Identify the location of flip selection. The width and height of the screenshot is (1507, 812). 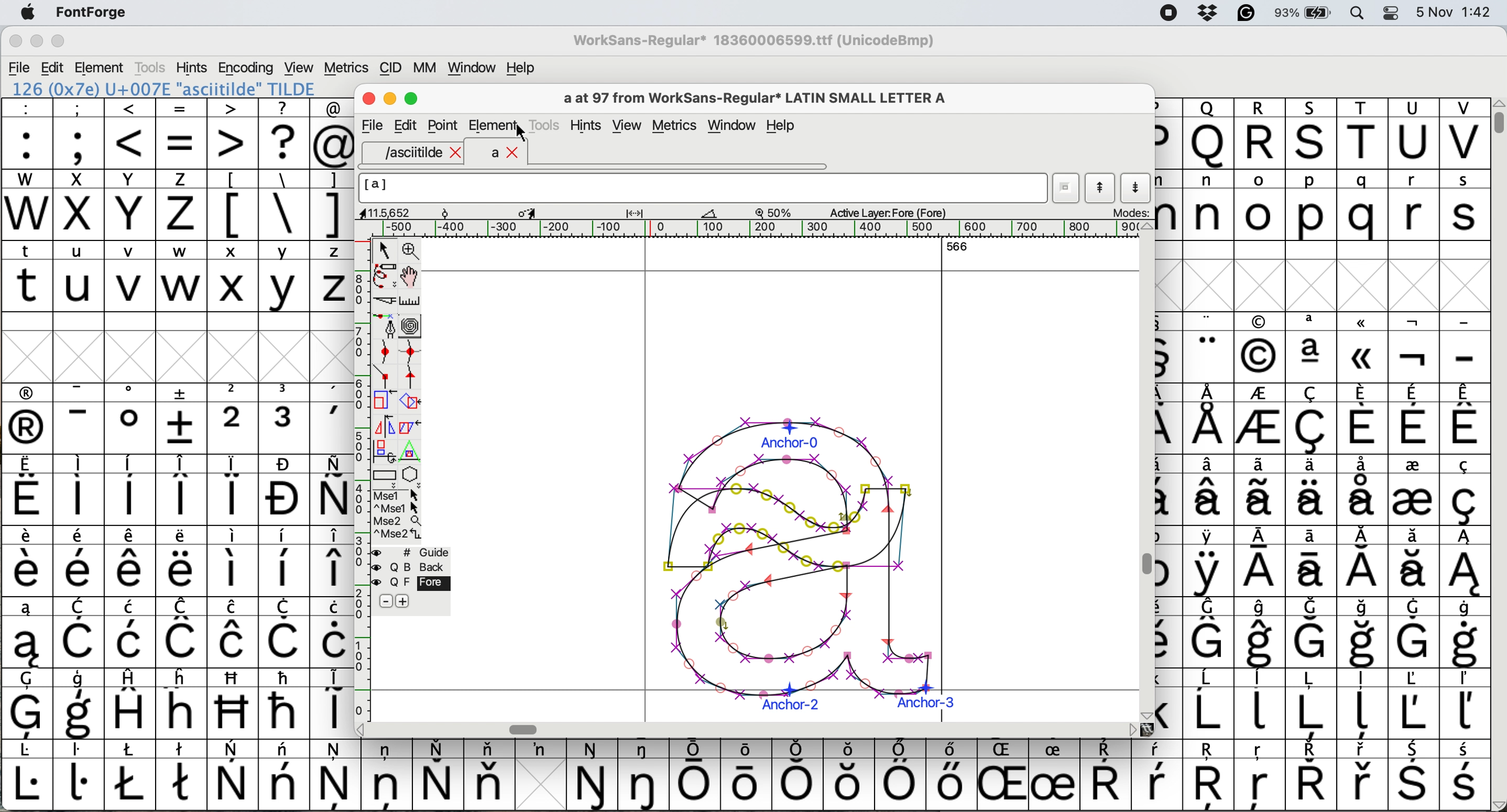
(384, 425).